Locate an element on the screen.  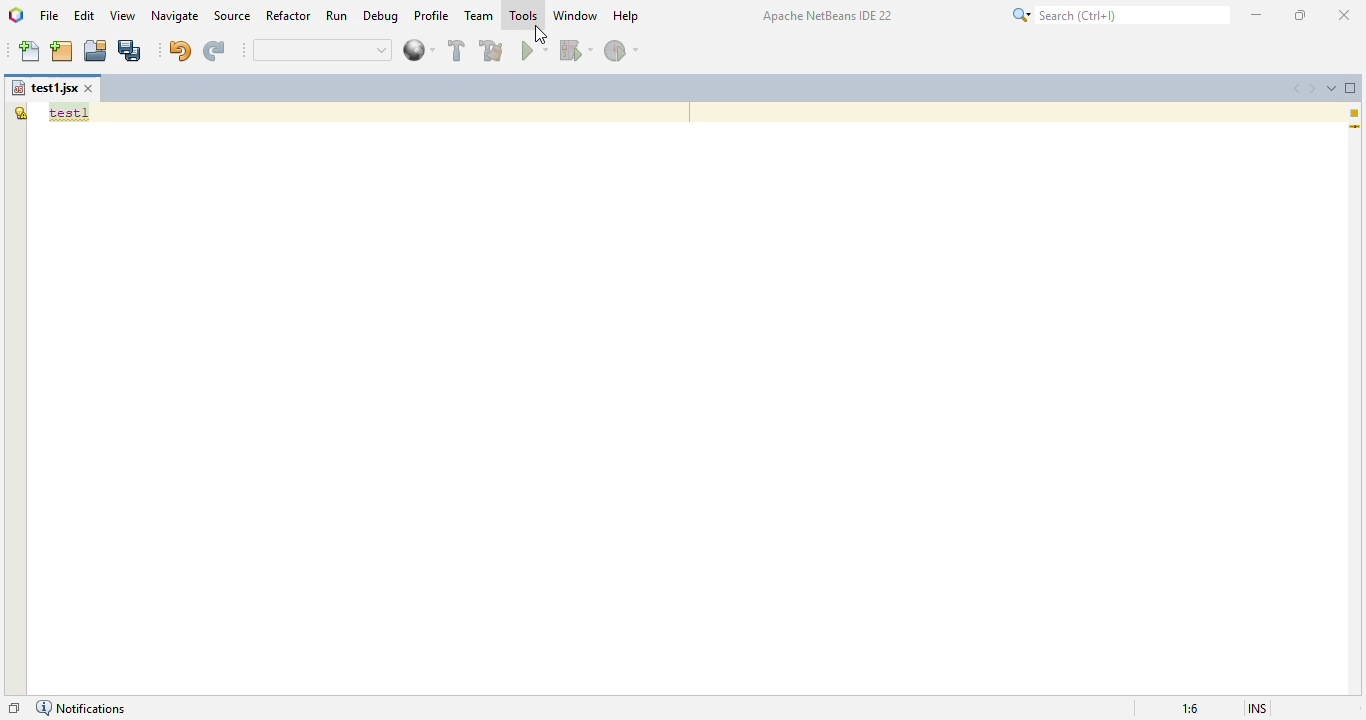
build project is located at coordinates (458, 50).